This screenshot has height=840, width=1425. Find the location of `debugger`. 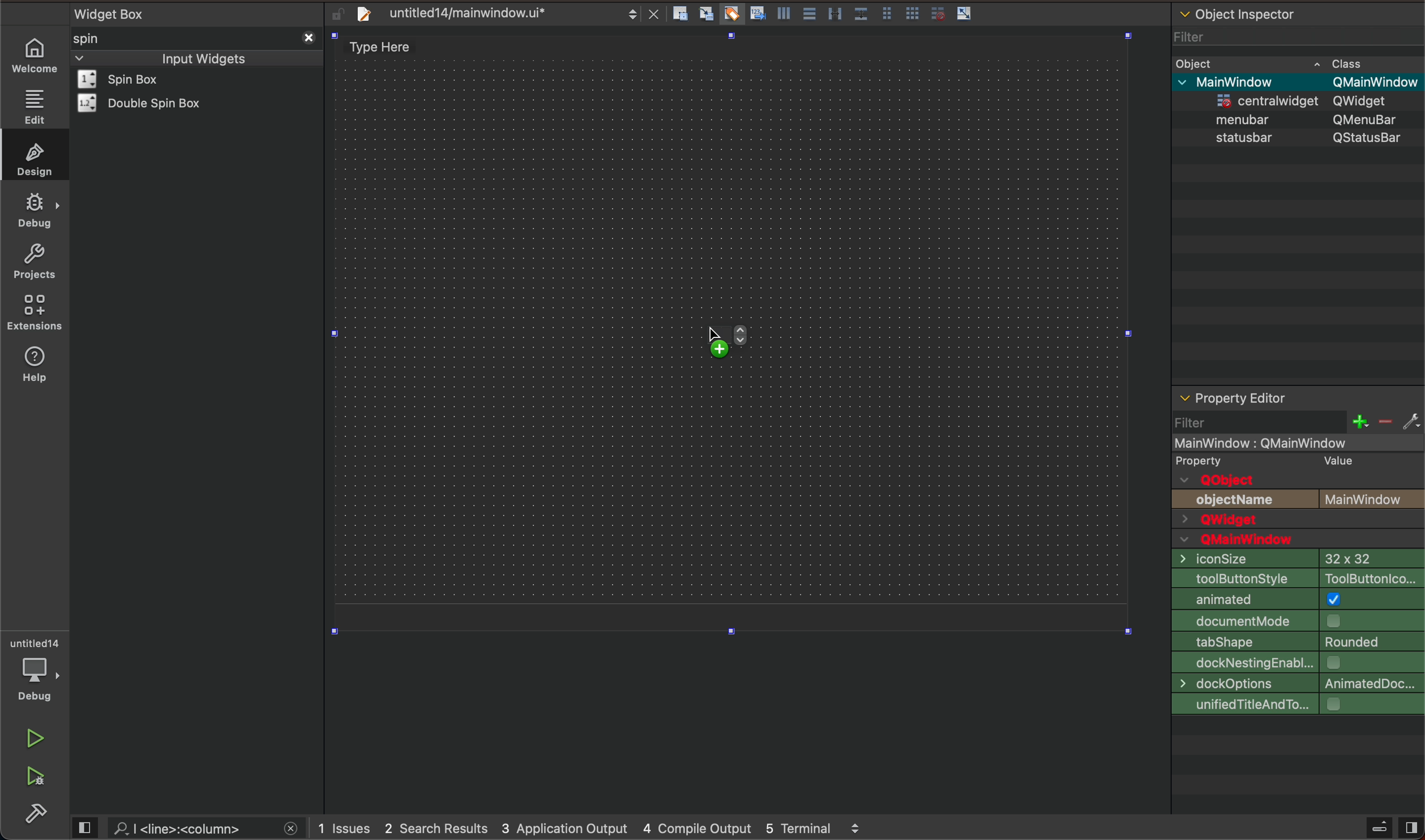

debugger is located at coordinates (37, 670).